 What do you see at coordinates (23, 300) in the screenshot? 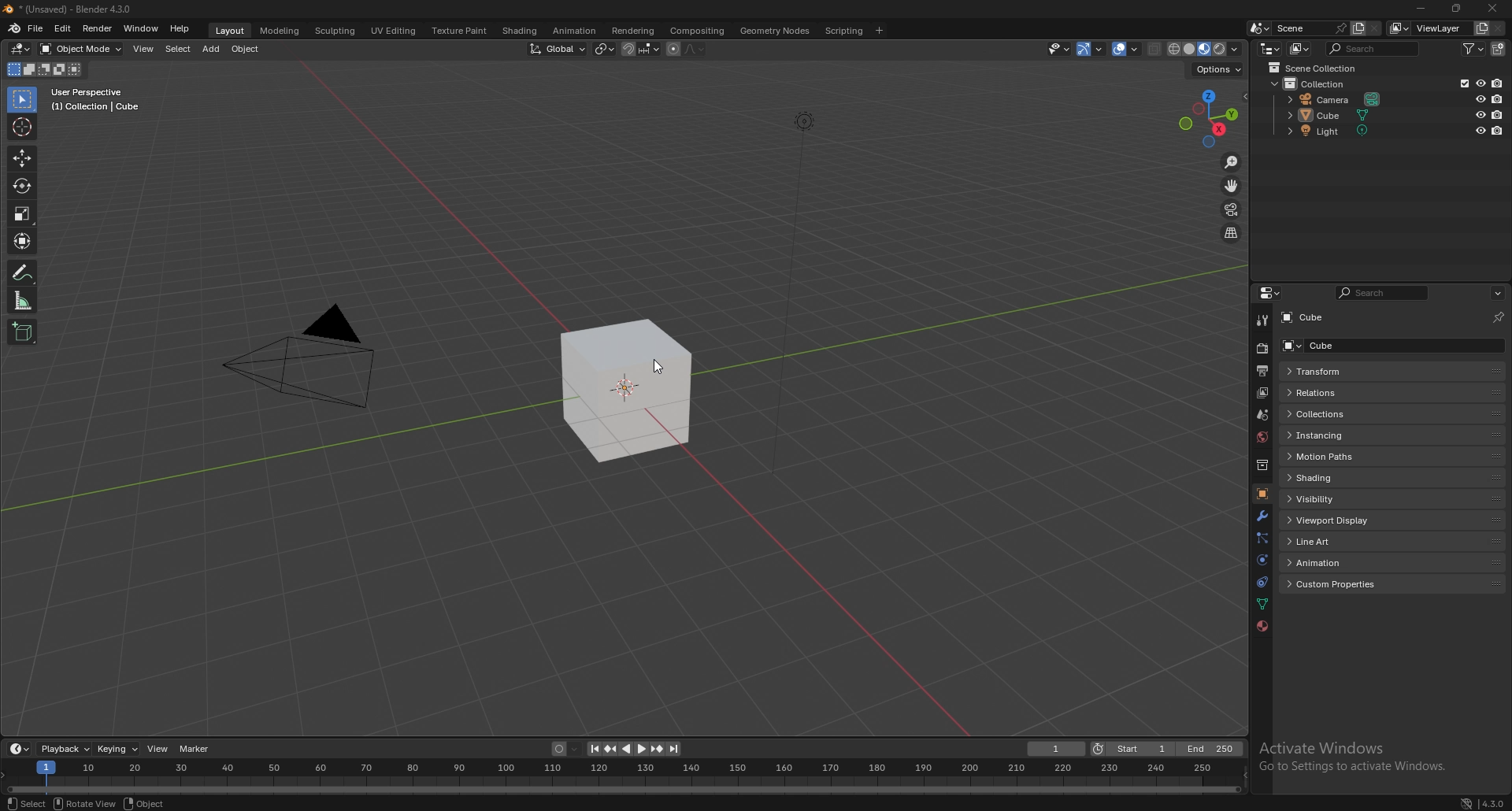
I see `measure` at bounding box center [23, 300].